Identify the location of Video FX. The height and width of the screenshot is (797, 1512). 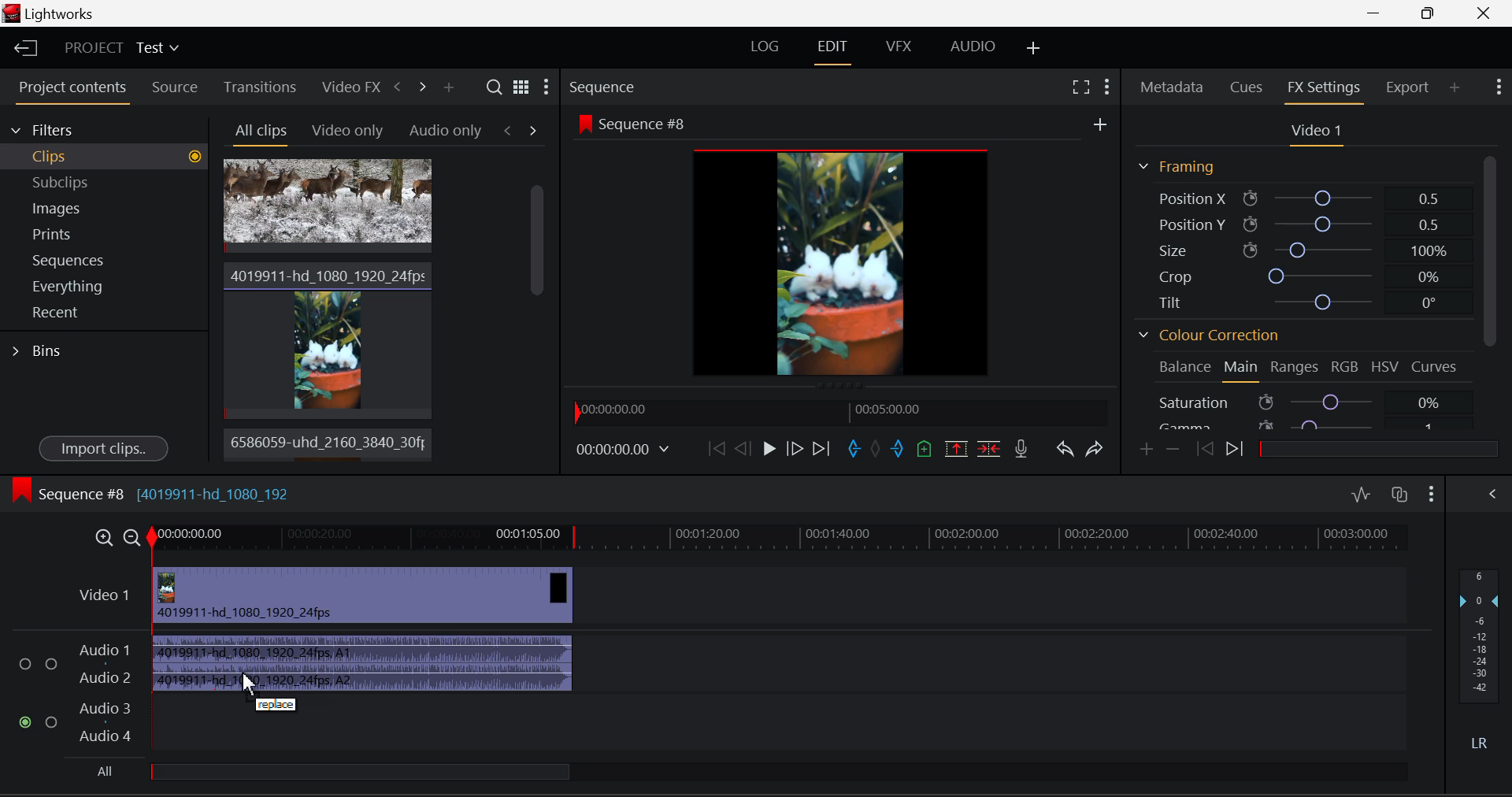
(348, 85).